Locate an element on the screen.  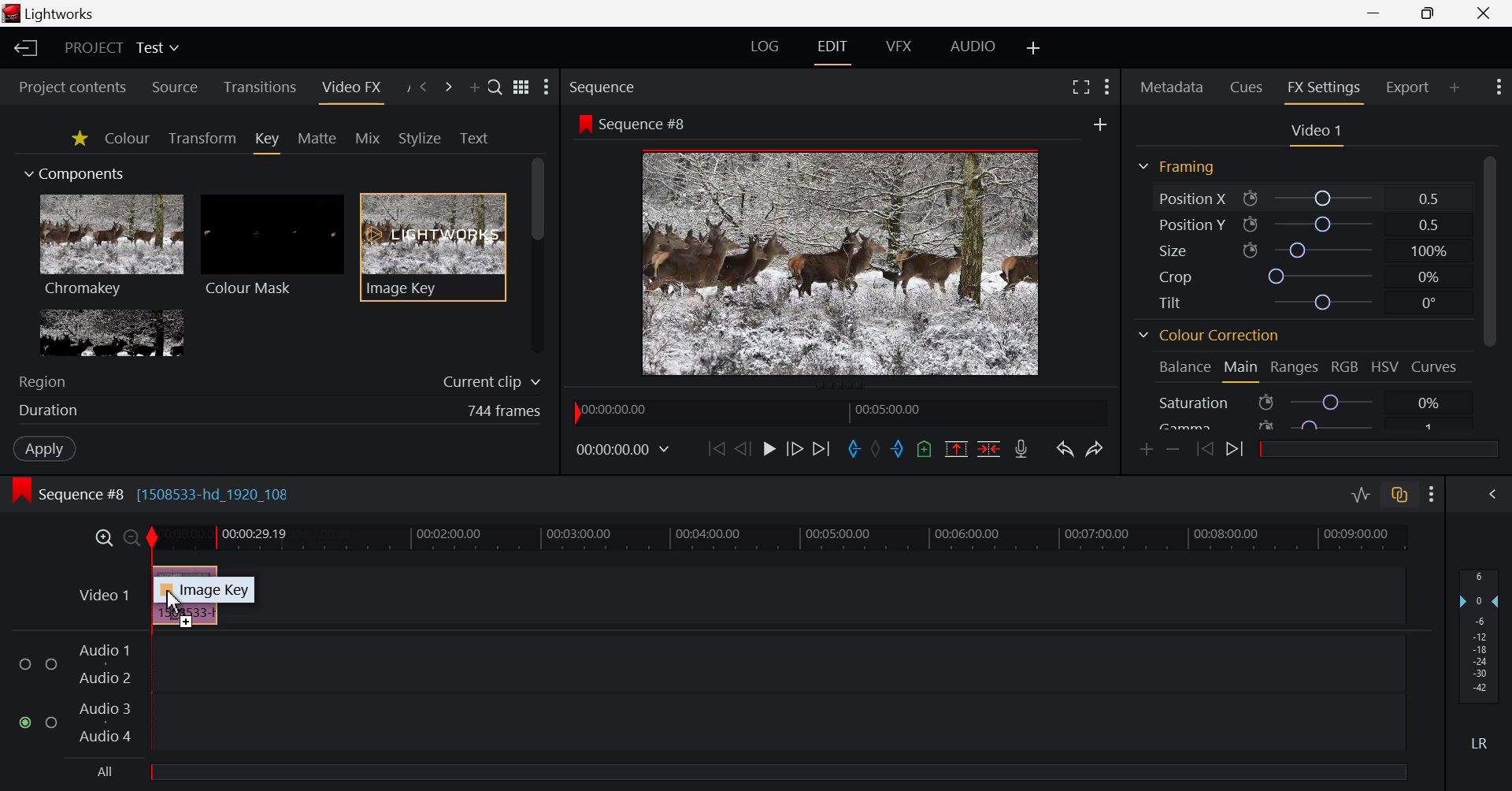
Timeline Track is located at coordinates (776, 537).